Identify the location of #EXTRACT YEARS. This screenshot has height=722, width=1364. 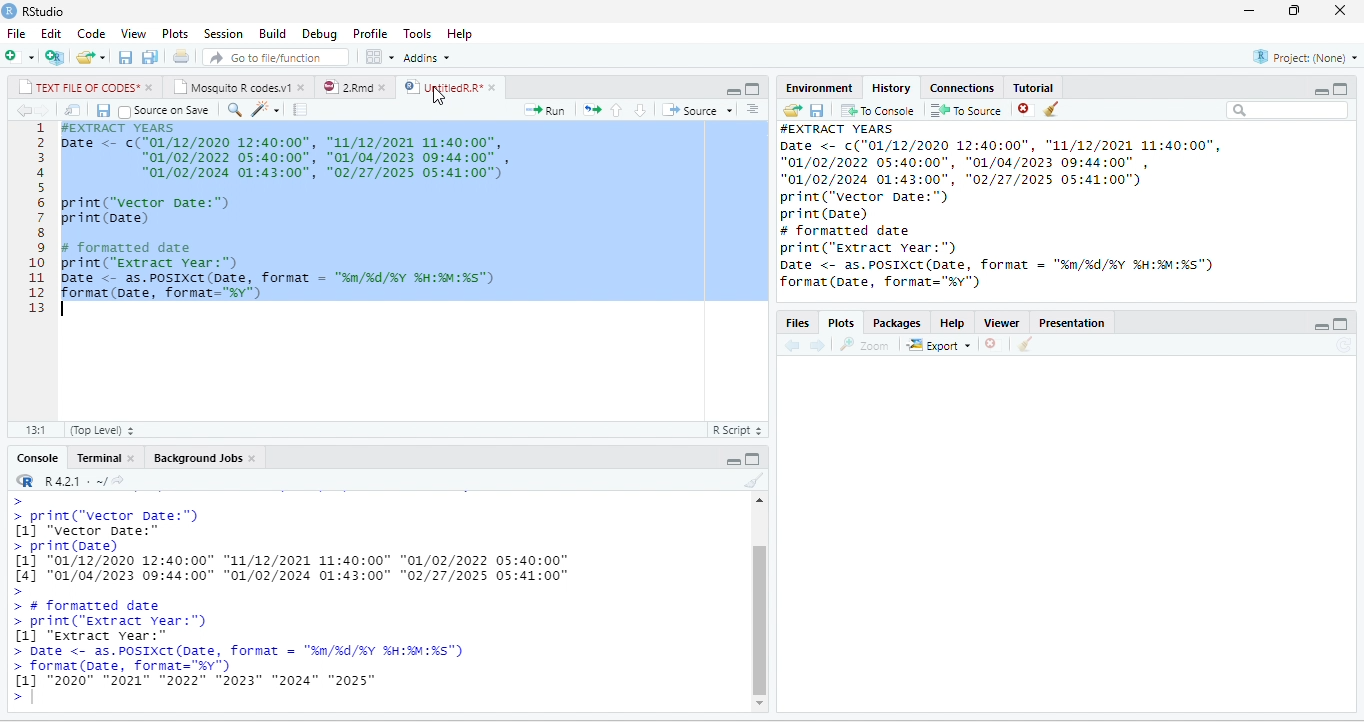
(843, 128).